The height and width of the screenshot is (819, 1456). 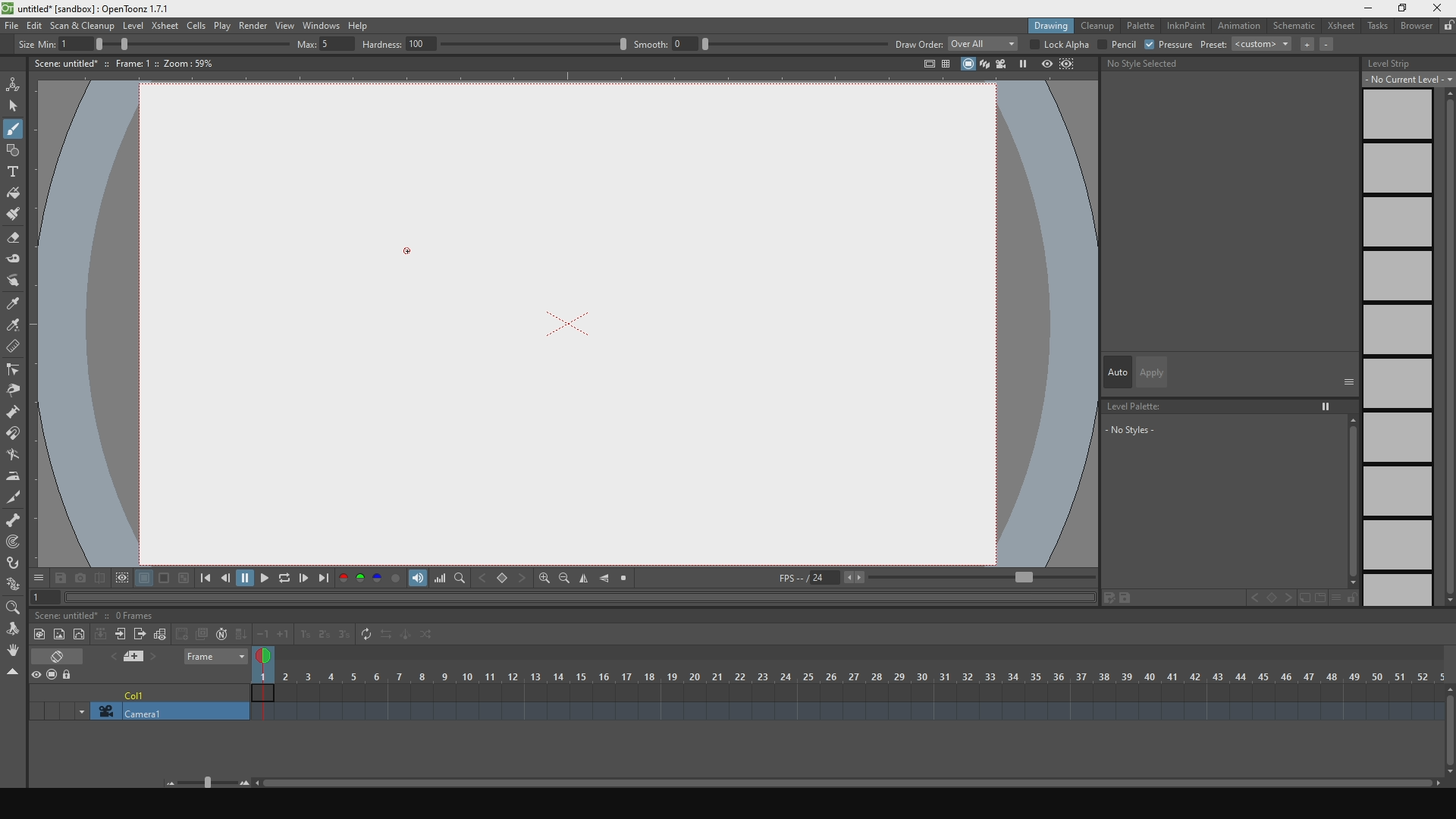 I want to click on backward and forward, so click(x=504, y=579).